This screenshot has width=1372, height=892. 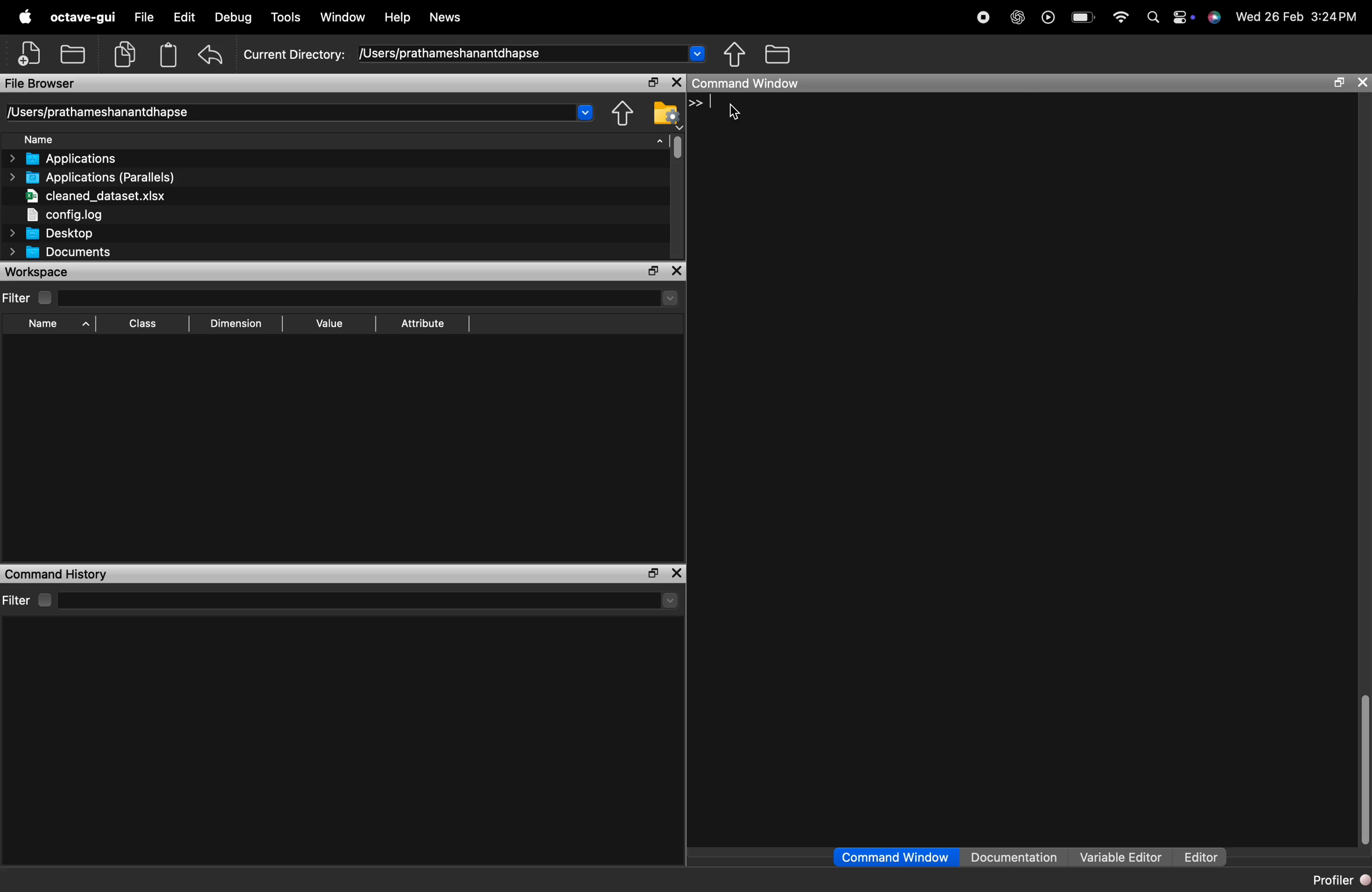 I want to click on battery, so click(x=1079, y=18).